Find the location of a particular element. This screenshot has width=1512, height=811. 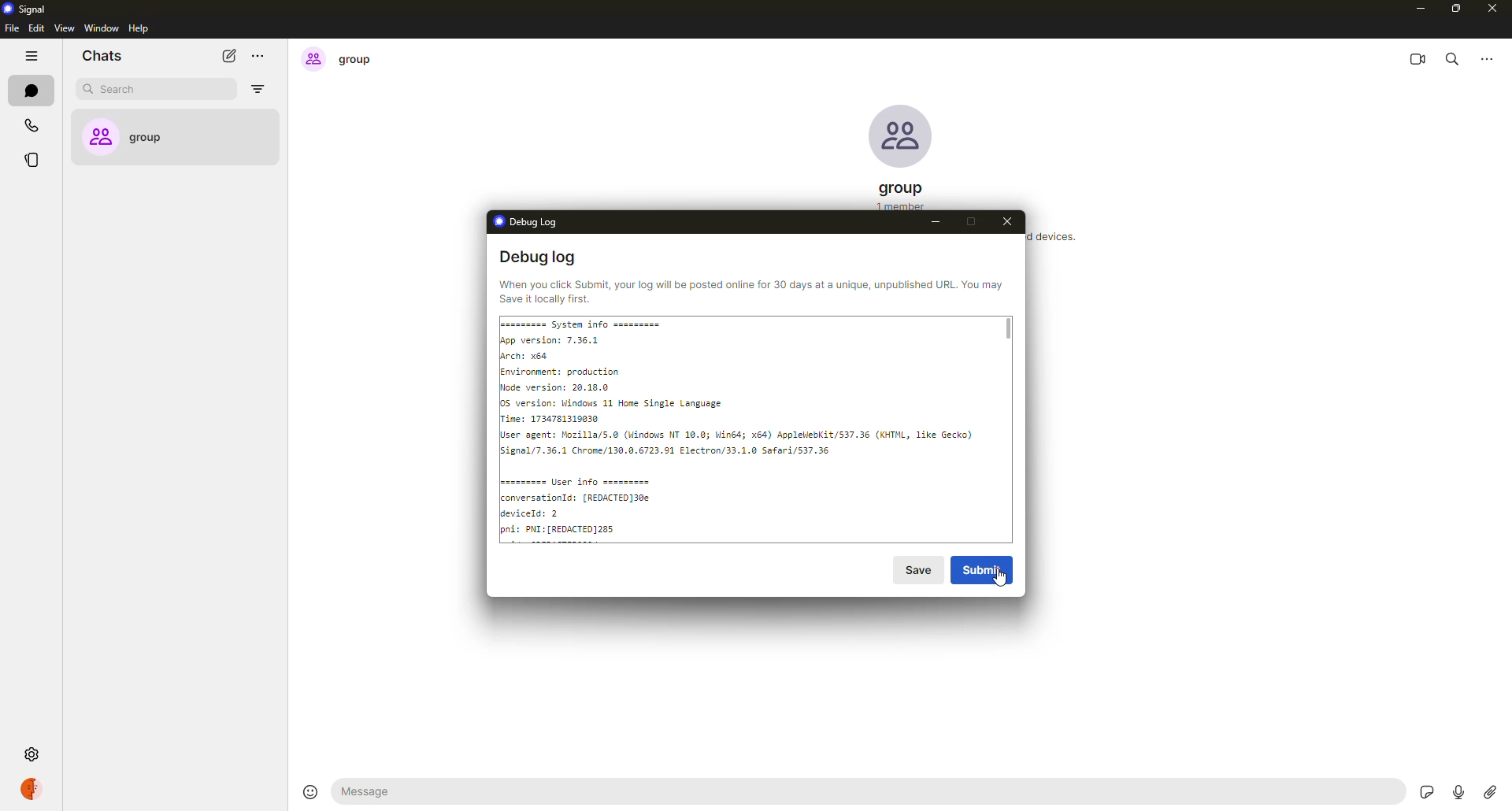

message is located at coordinates (432, 791).